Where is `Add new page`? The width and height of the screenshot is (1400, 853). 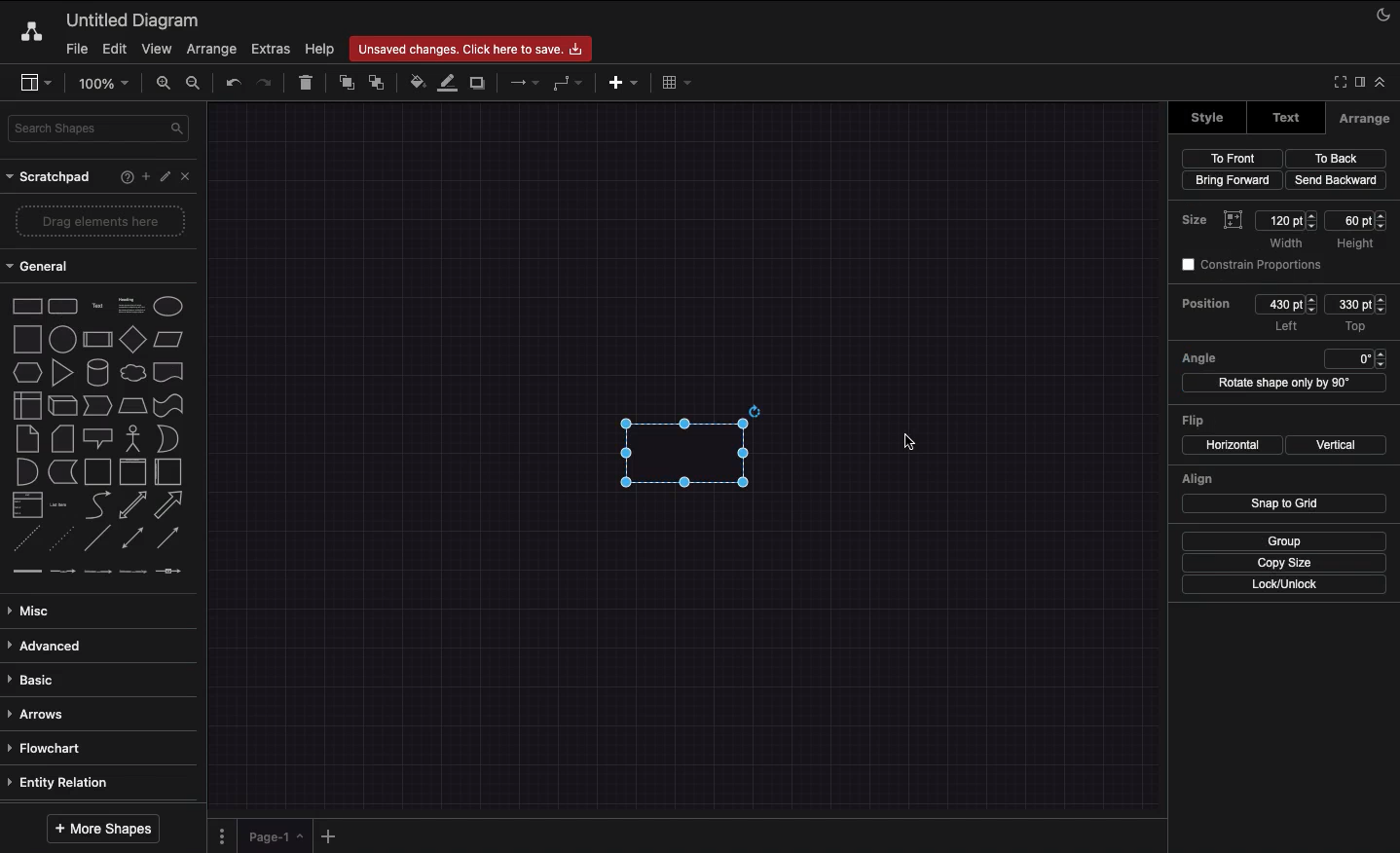 Add new page is located at coordinates (334, 835).